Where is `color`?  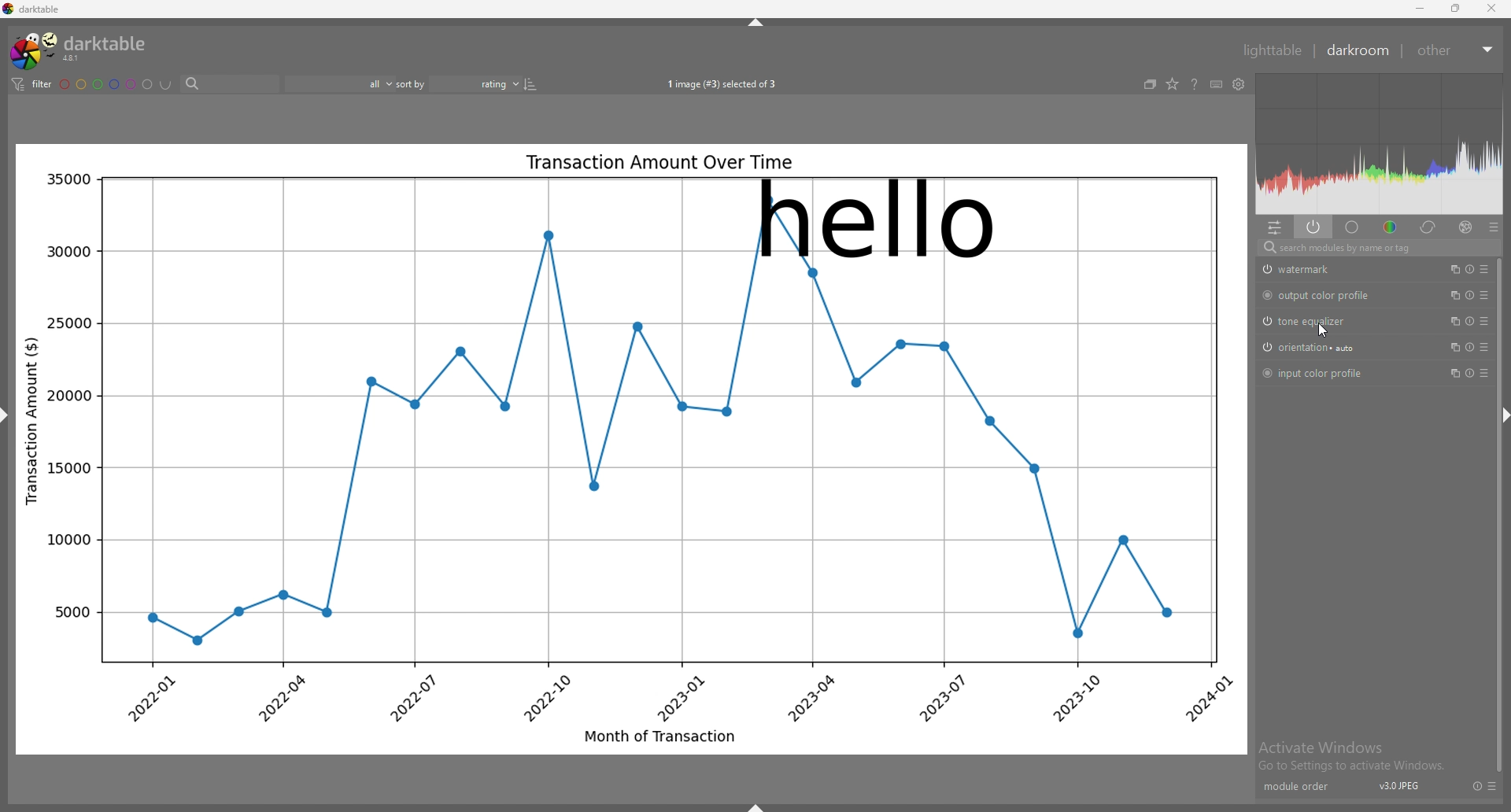 color is located at coordinates (1391, 227).